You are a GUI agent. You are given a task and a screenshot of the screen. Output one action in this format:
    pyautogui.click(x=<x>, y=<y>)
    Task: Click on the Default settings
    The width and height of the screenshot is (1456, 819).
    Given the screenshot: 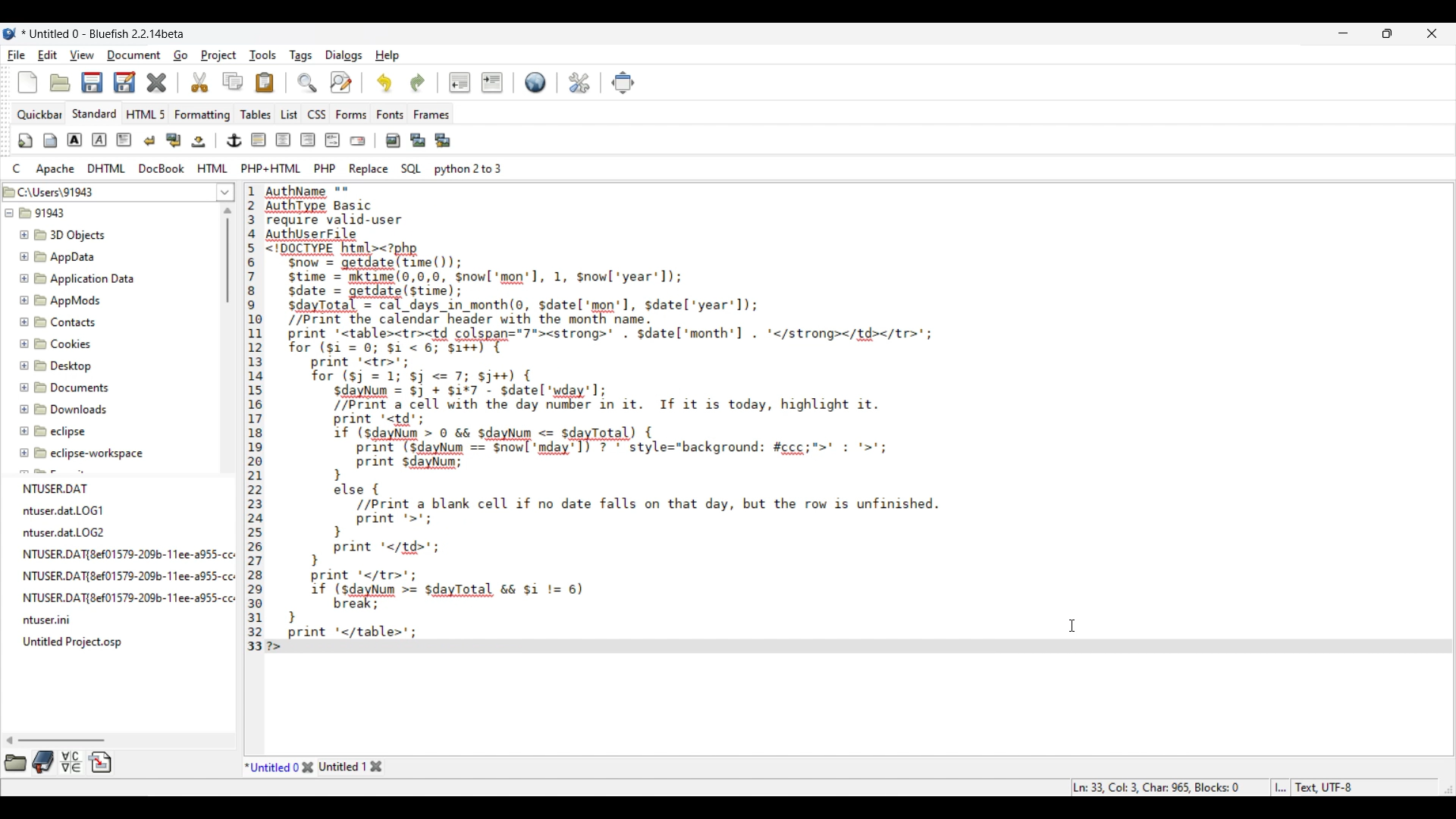 What is the action you would take?
    pyautogui.click(x=535, y=82)
    